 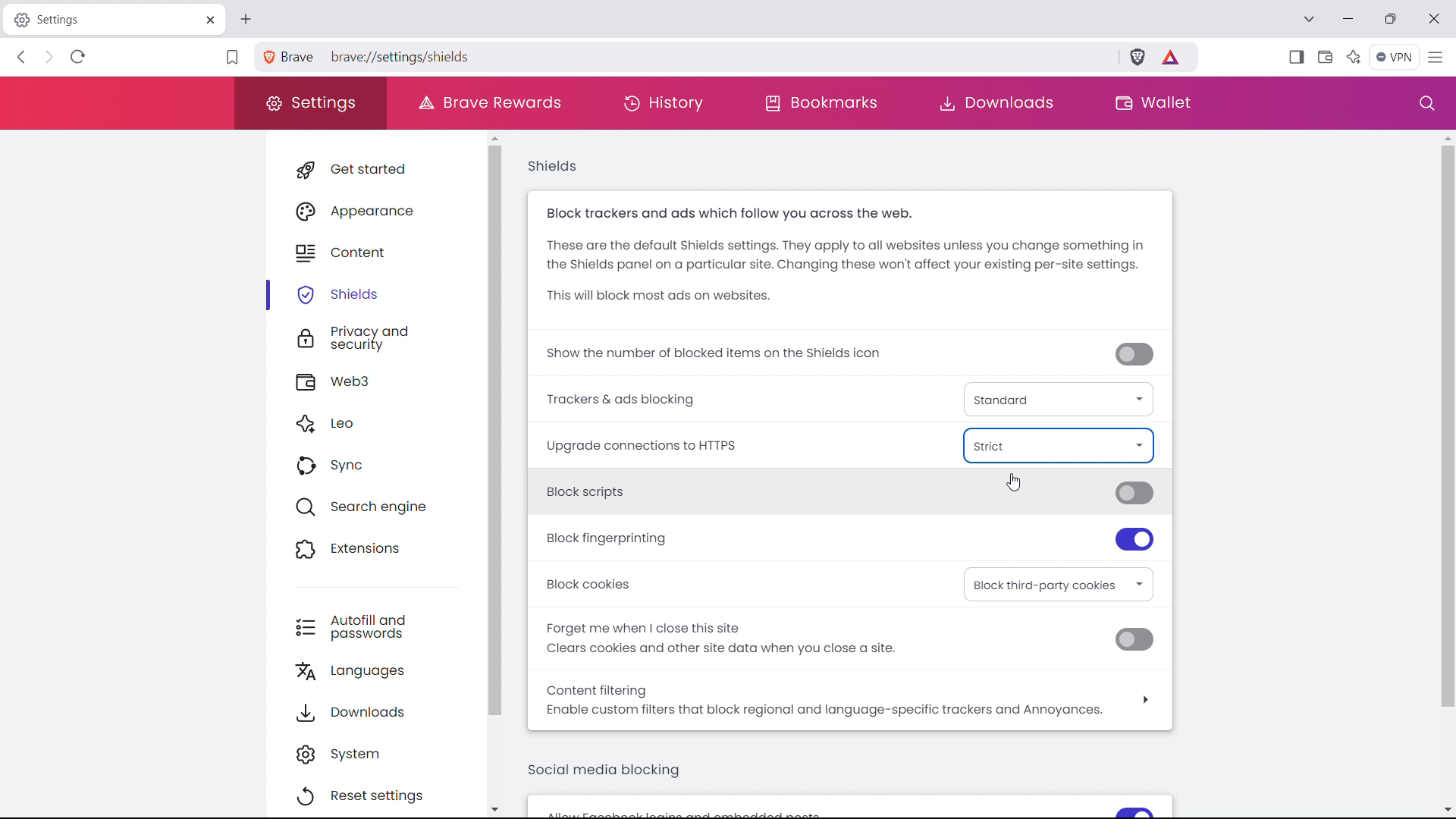 What do you see at coordinates (1426, 103) in the screenshot?
I see `search` at bounding box center [1426, 103].